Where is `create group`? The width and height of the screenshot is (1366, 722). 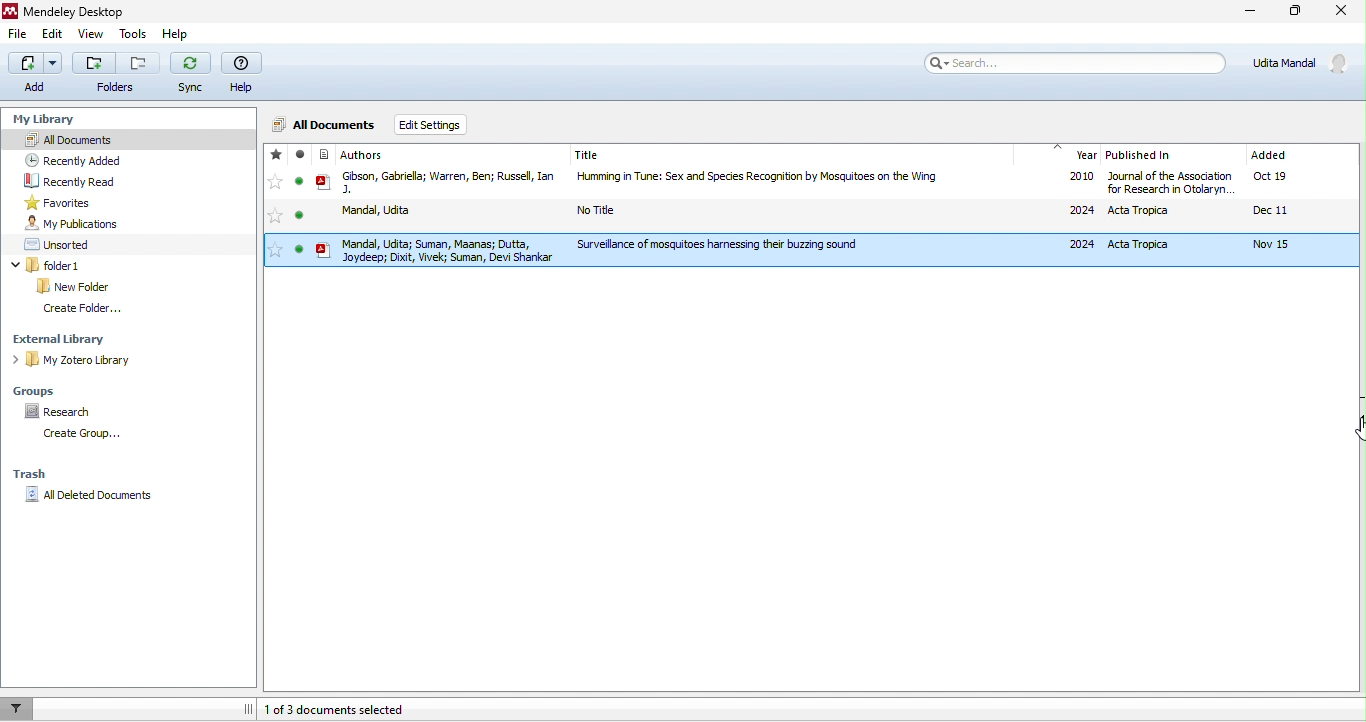 create group is located at coordinates (92, 435).